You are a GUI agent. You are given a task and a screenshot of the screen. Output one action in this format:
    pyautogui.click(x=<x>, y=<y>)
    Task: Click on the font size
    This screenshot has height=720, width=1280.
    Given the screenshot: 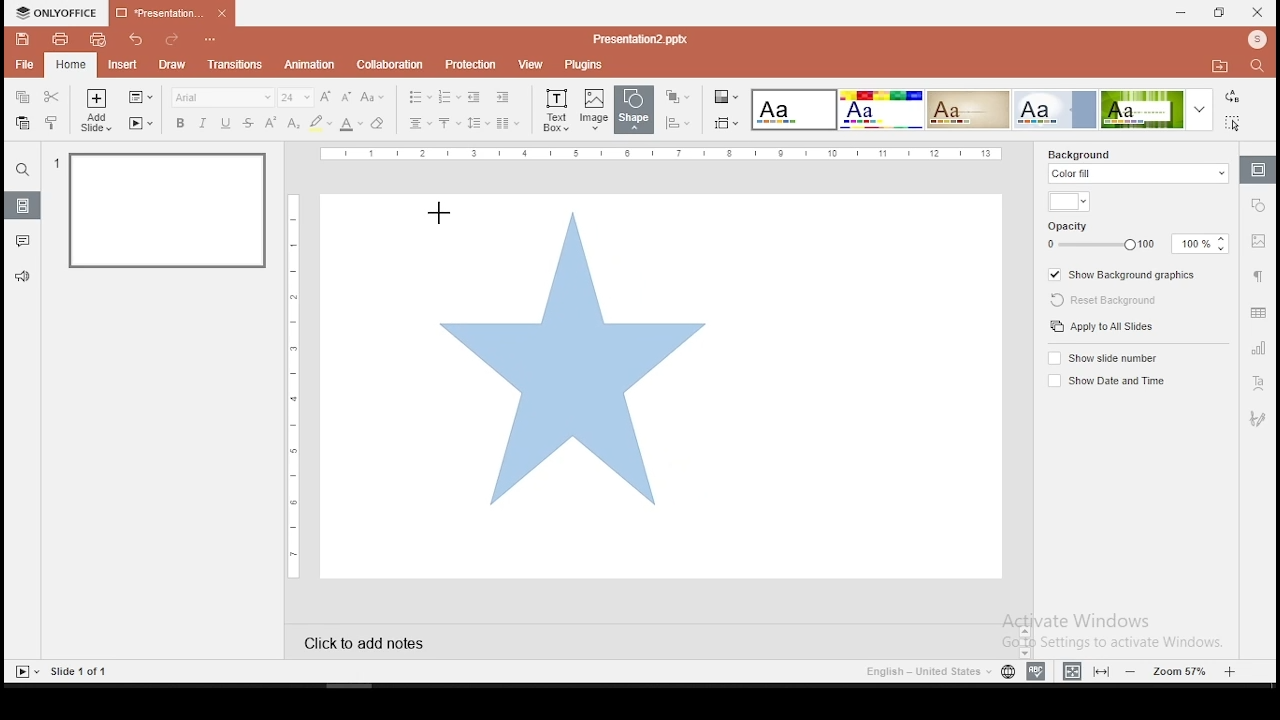 What is the action you would take?
    pyautogui.click(x=297, y=97)
    